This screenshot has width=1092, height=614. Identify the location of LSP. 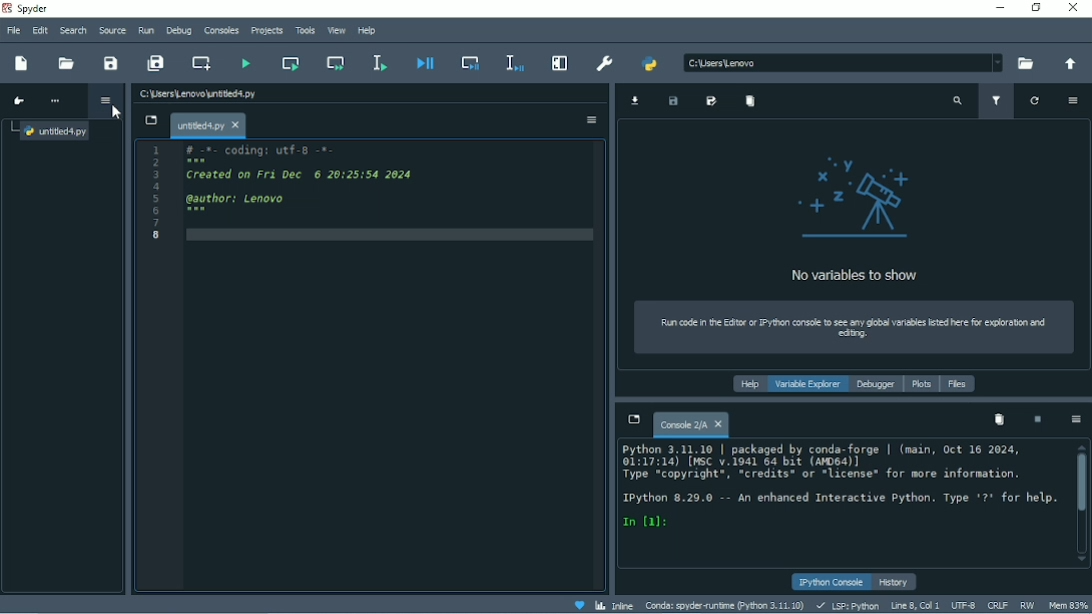
(847, 606).